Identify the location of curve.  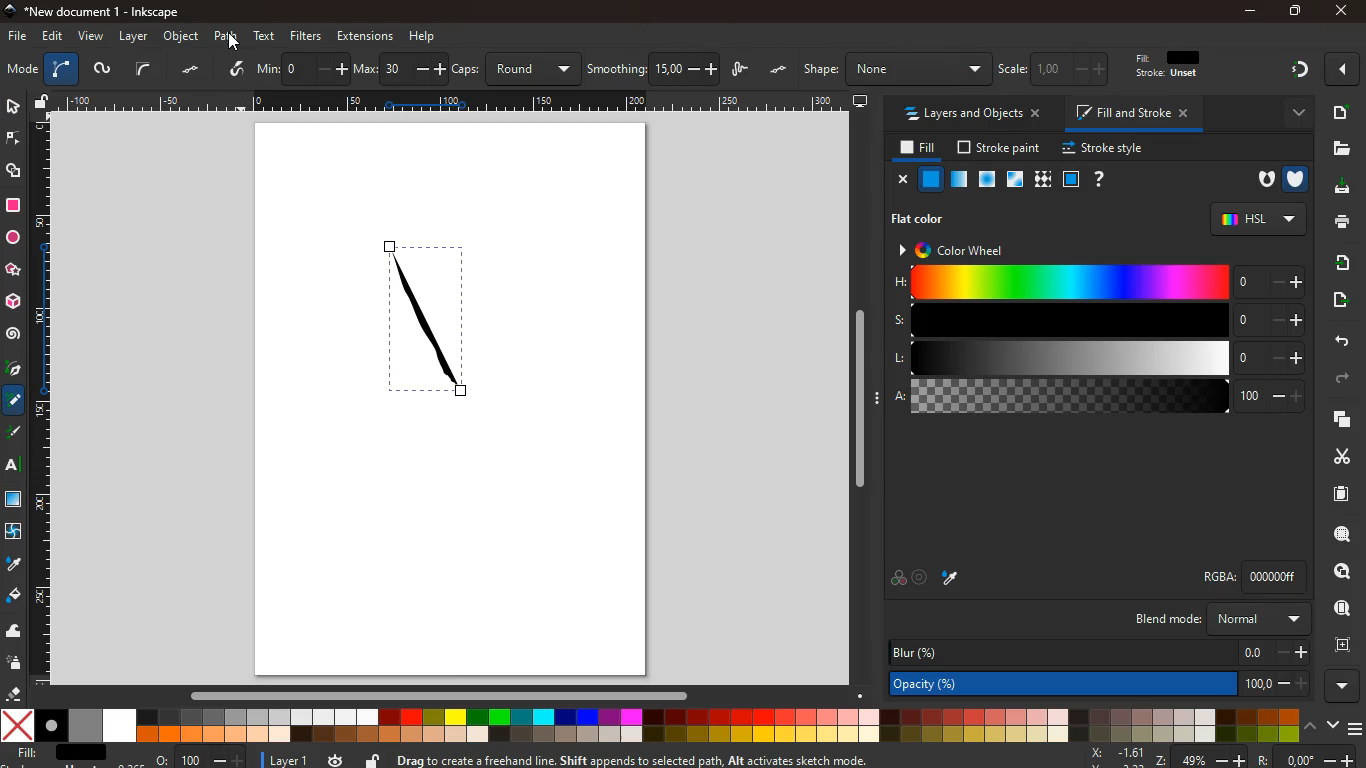
(143, 69).